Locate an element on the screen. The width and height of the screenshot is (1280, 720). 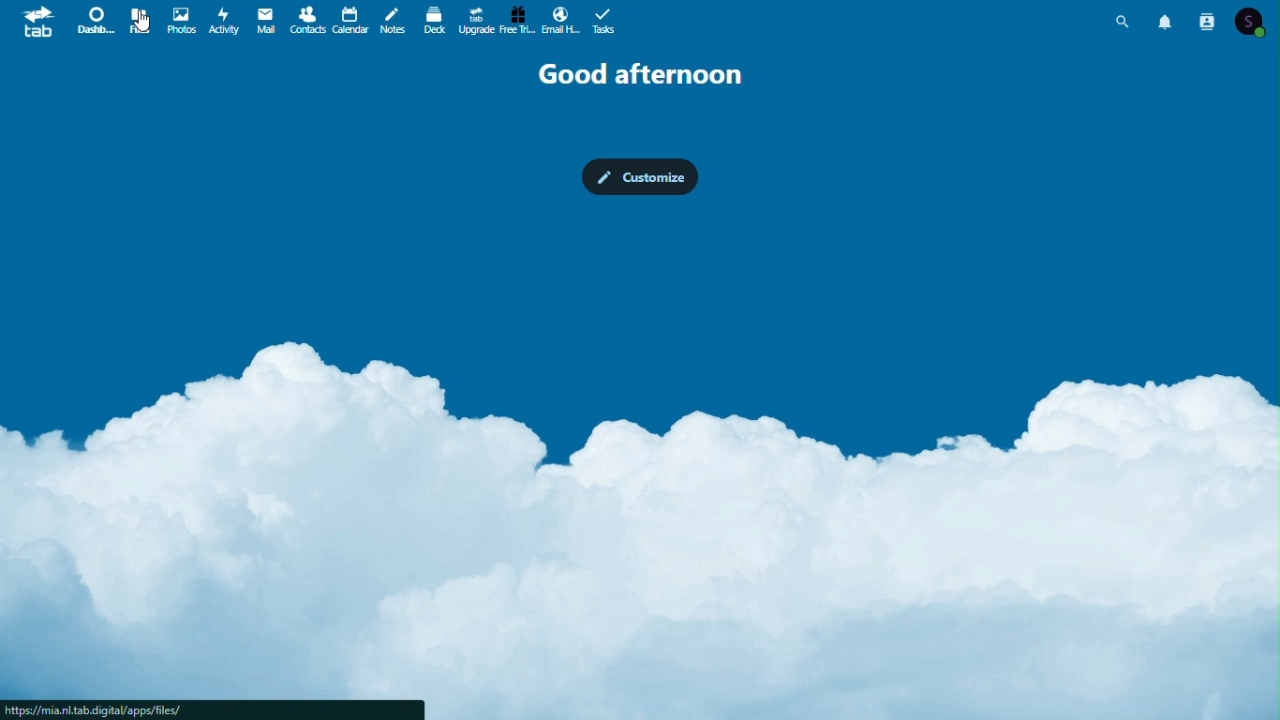
deck is located at coordinates (434, 22).